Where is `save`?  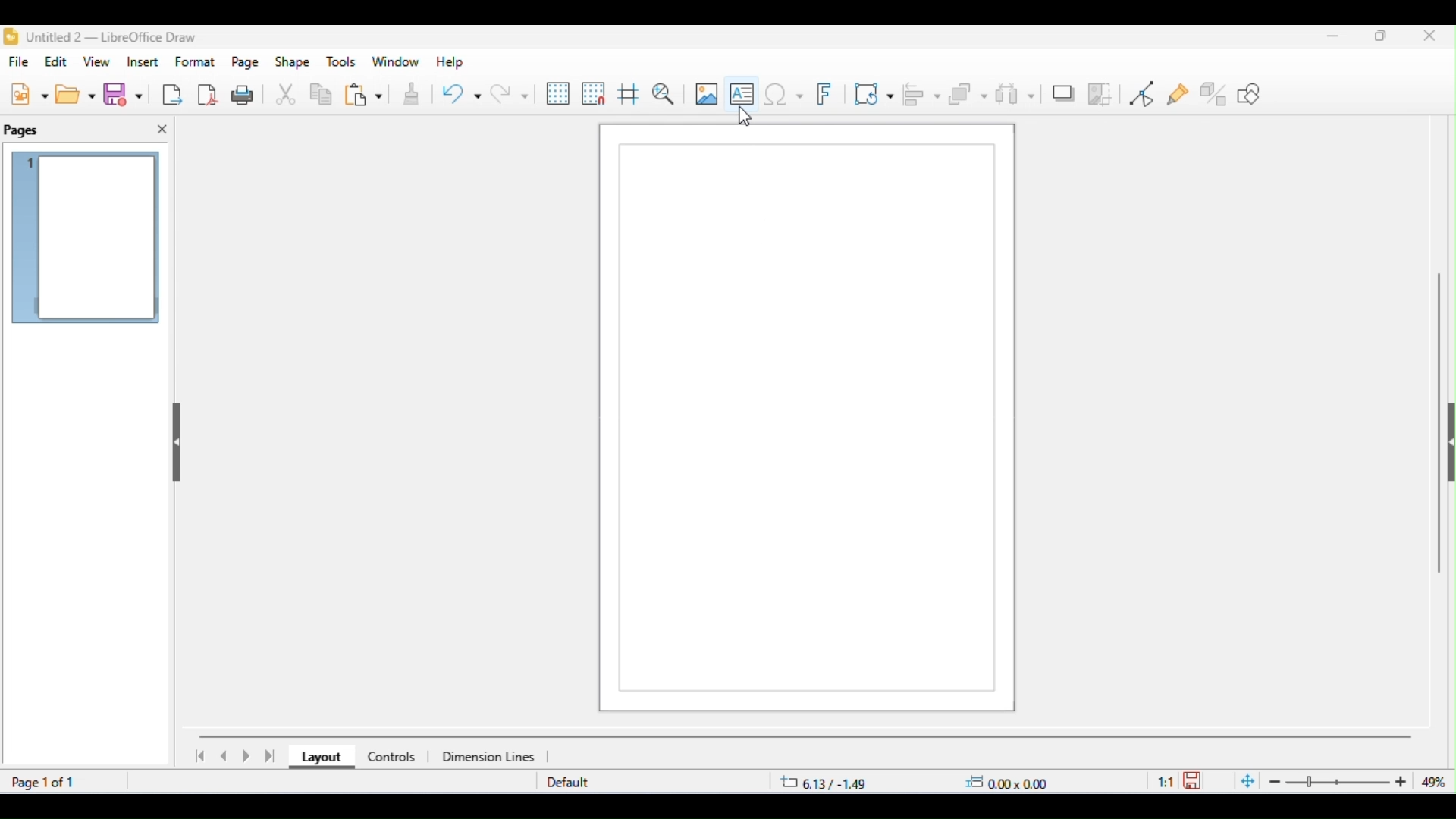
save is located at coordinates (1195, 780).